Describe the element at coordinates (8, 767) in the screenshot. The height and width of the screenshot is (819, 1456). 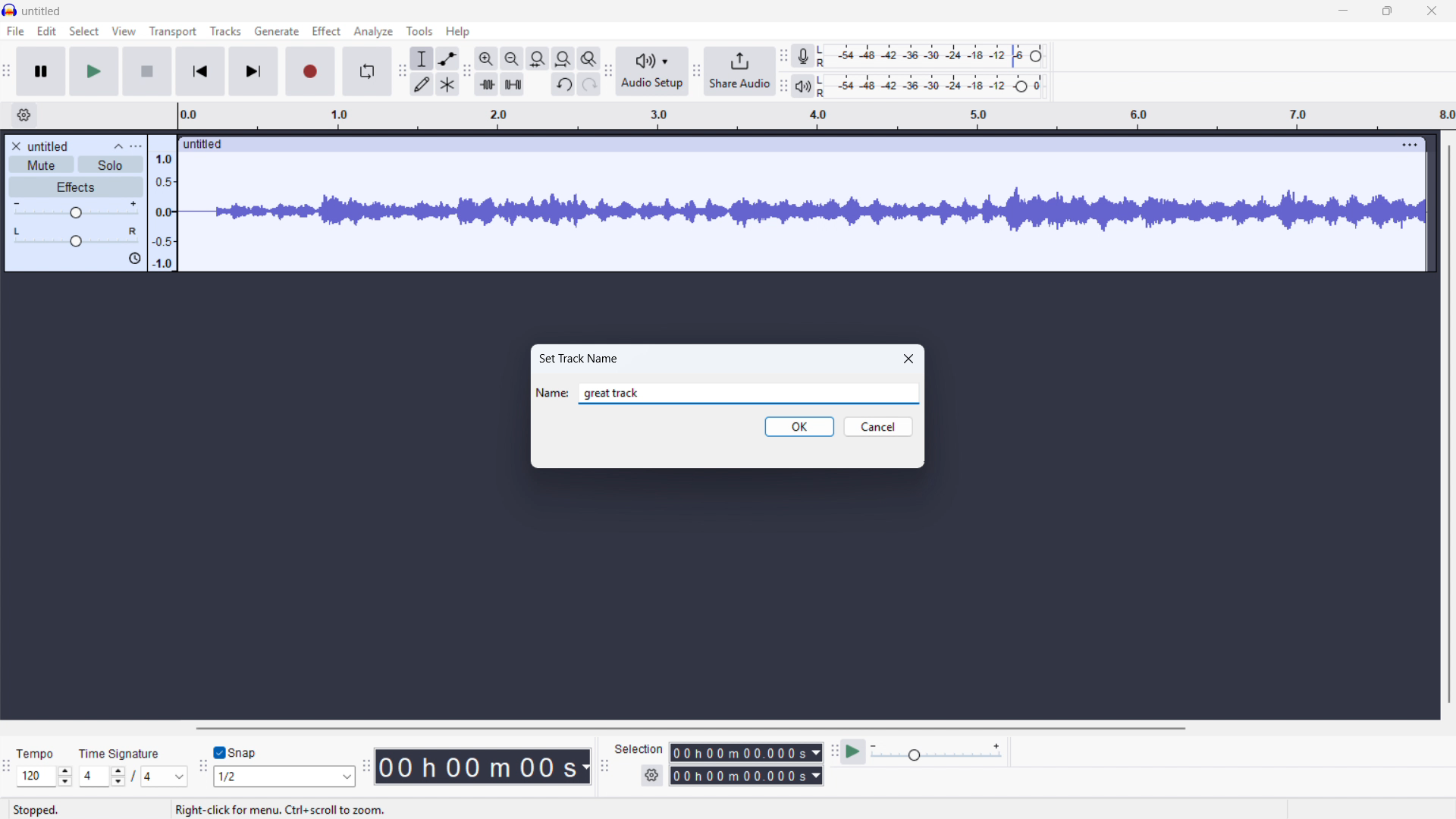
I see `Time signature toolbar ` at that location.